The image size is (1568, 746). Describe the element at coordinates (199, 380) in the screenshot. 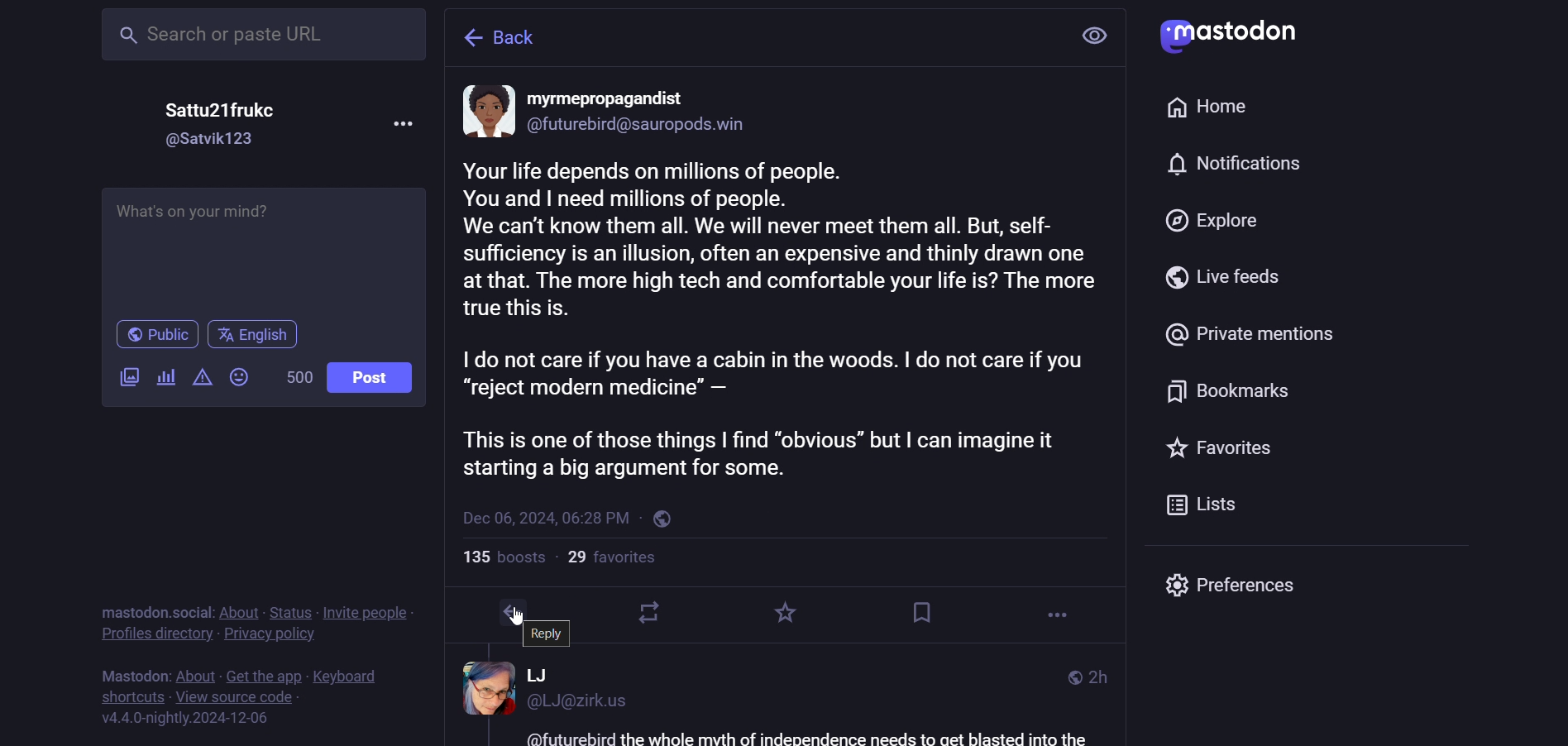

I see `content warning` at that location.